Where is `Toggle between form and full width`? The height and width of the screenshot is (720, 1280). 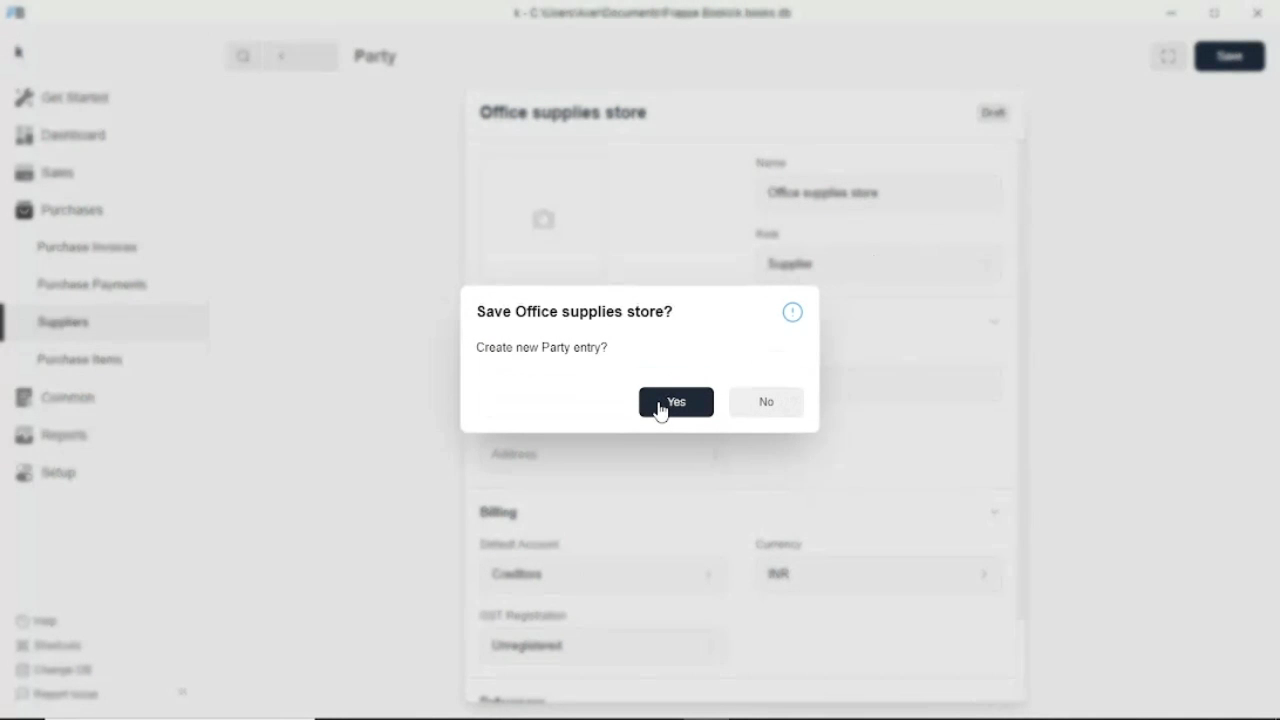
Toggle between form and full width is located at coordinates (1214, 13).